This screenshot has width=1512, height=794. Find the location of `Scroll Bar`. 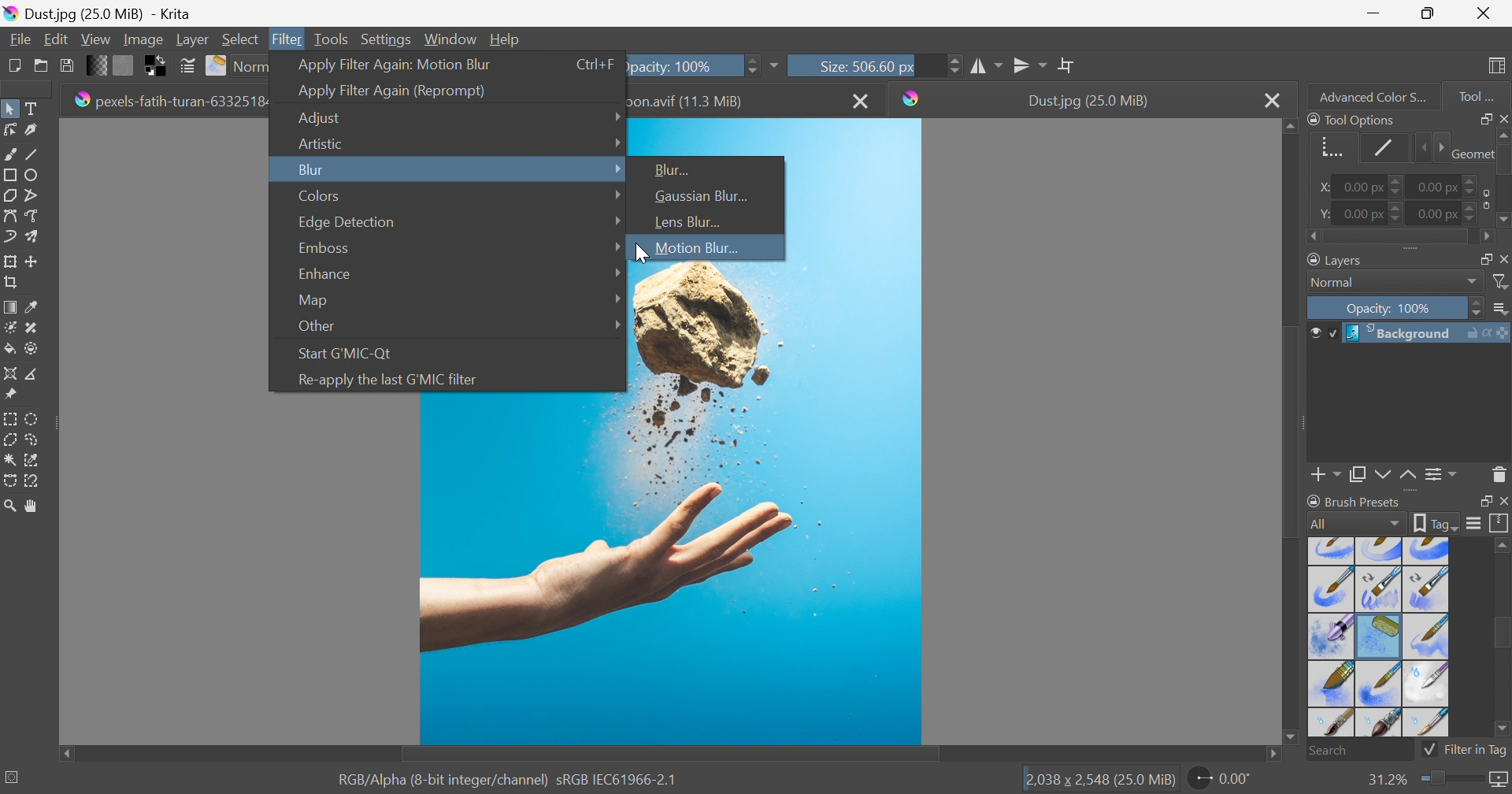

Scroll Bar is located at coordinates (670, 755).